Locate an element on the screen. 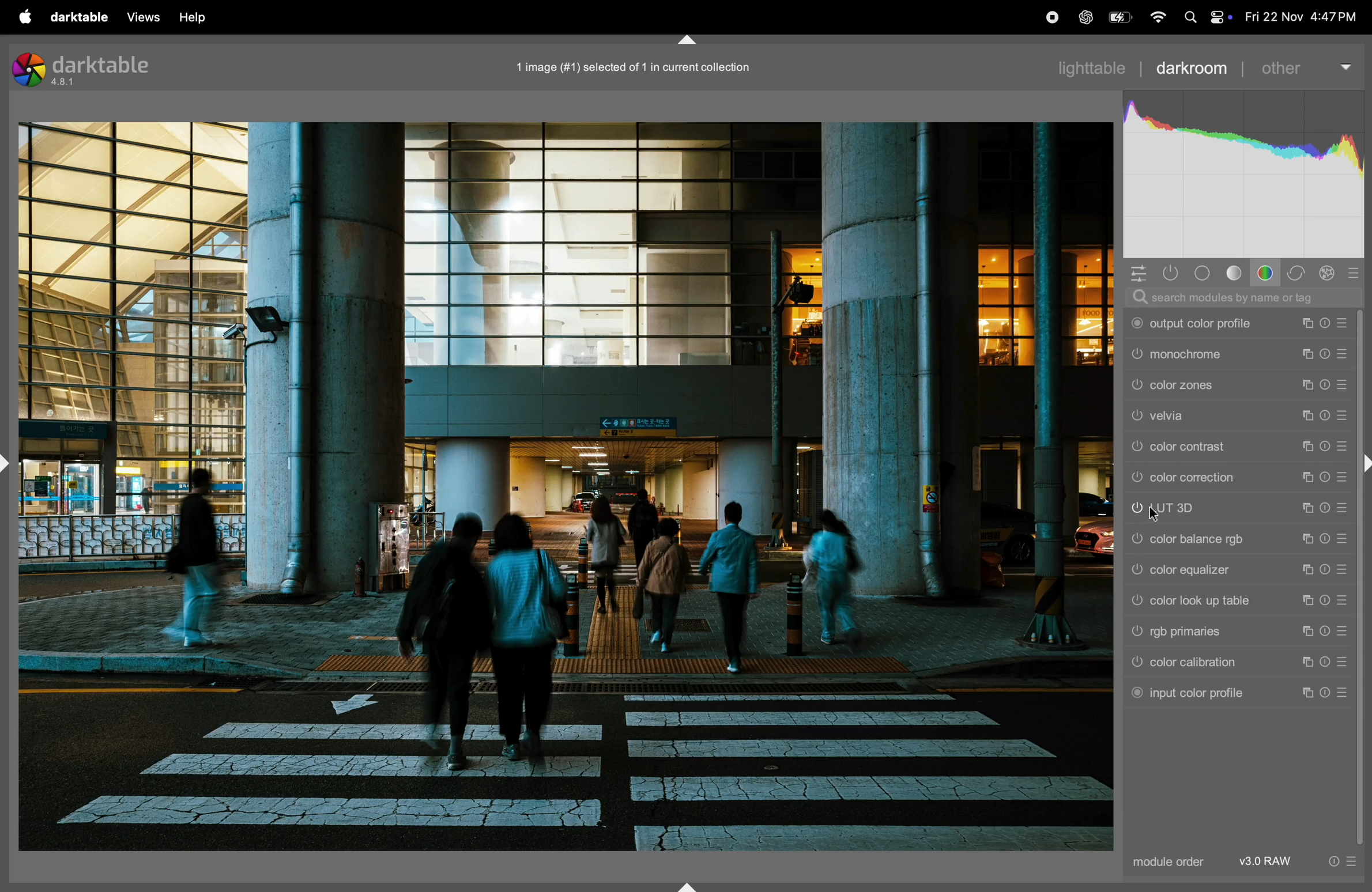 This screenshot has height=892, width=1372. reset is located at coordinates (1325, 322).